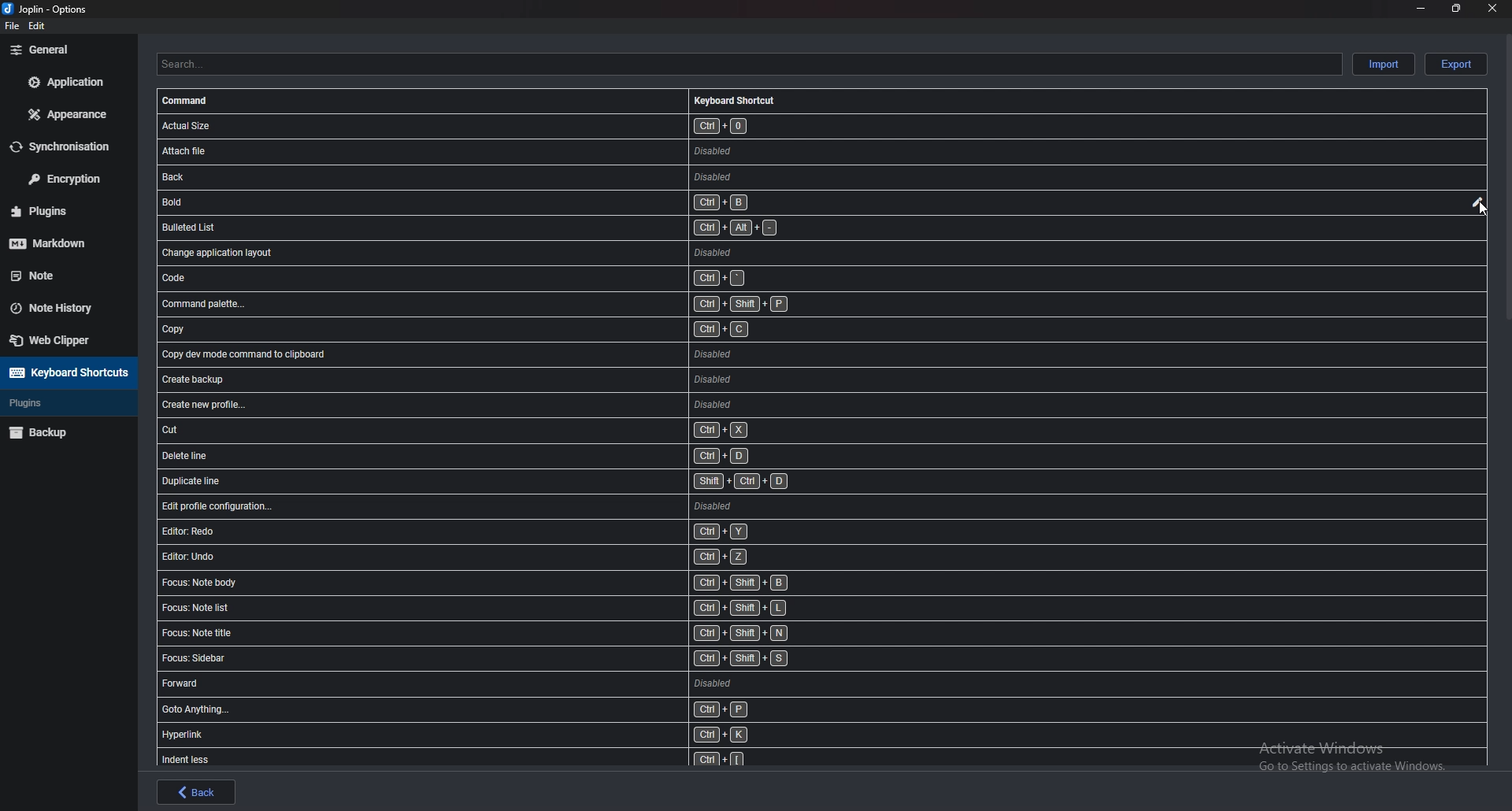 Image resolution: width=1512 pixels, height=811 pixels. What do you see at coordinates (513, 737) in the screenshot?
I see `shortcut` at bounding box center [513, 737].